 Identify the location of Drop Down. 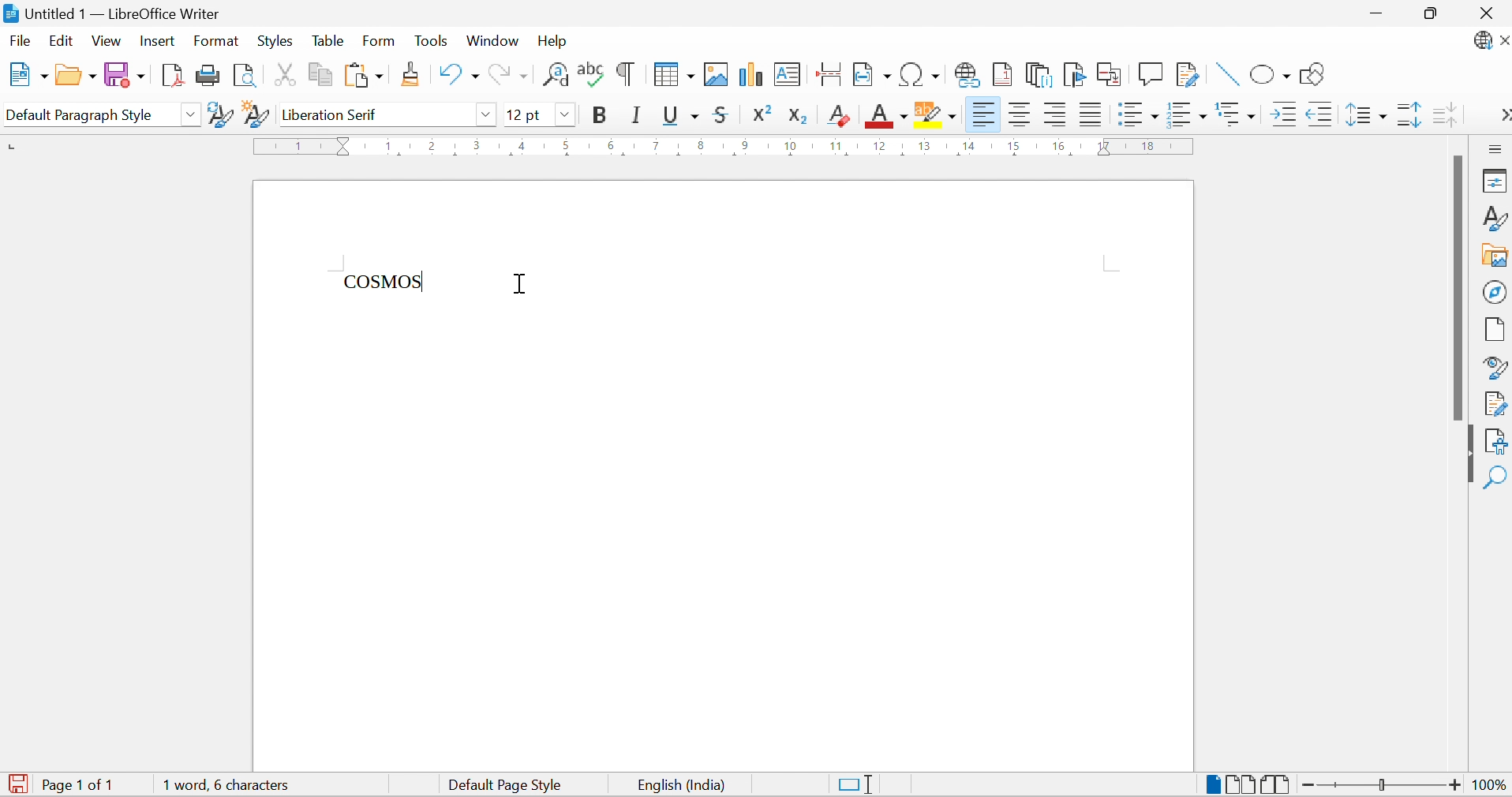
(192, 114).